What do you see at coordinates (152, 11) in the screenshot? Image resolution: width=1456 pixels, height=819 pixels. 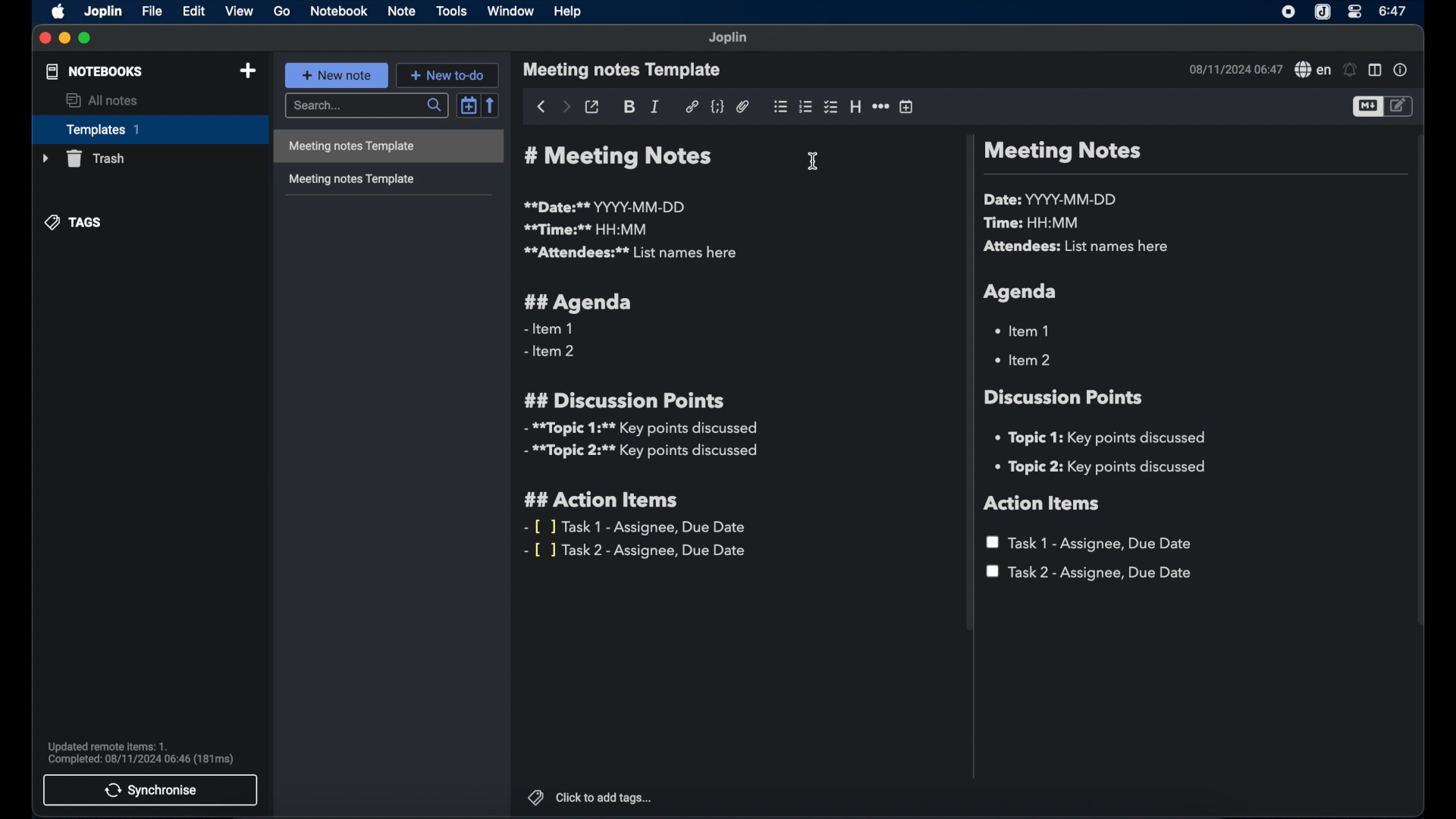 I see `file` at bounding box center [152, 11].